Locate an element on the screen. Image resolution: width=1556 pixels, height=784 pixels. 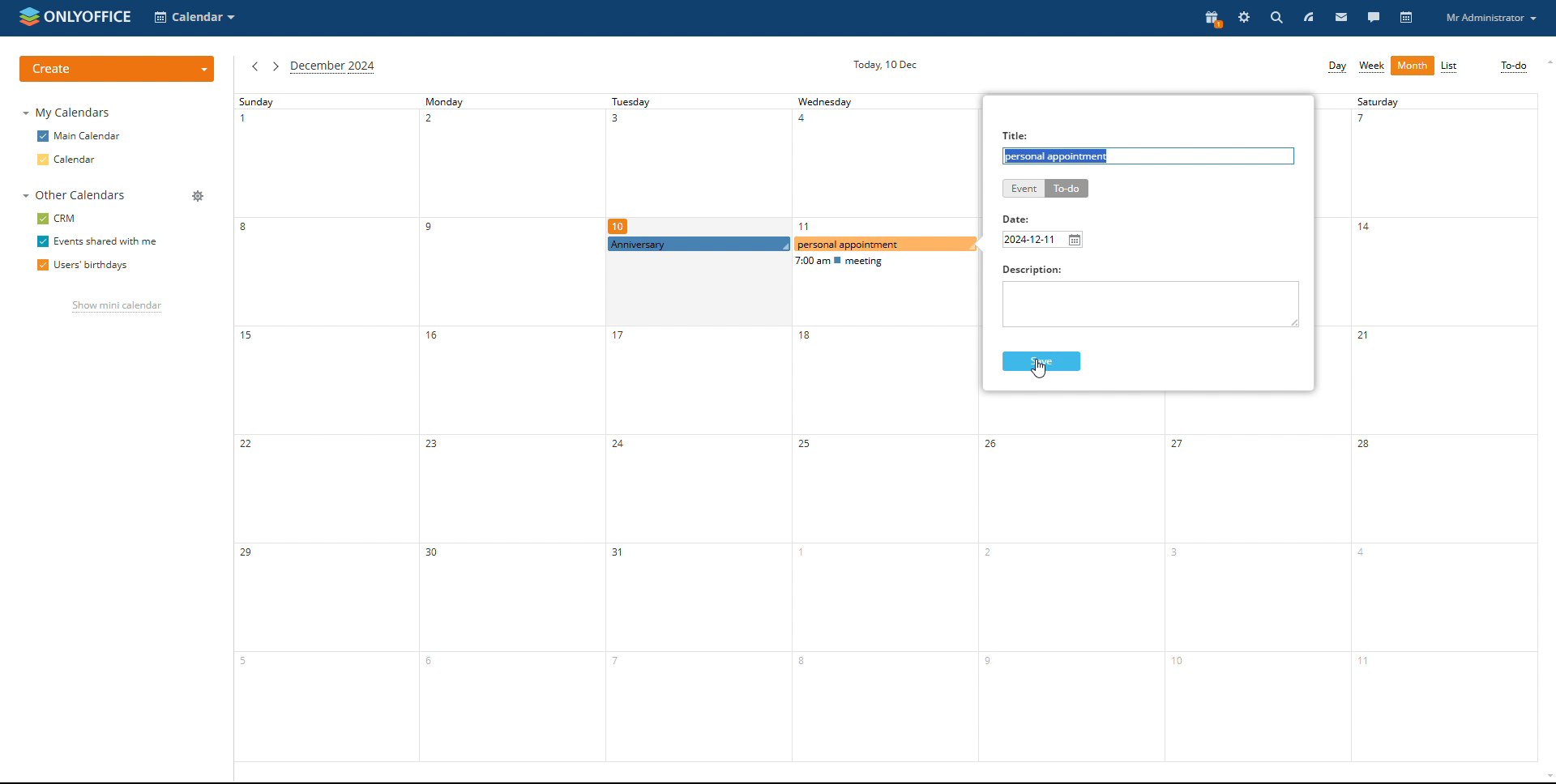
 is located at coordinates (1034, 269).